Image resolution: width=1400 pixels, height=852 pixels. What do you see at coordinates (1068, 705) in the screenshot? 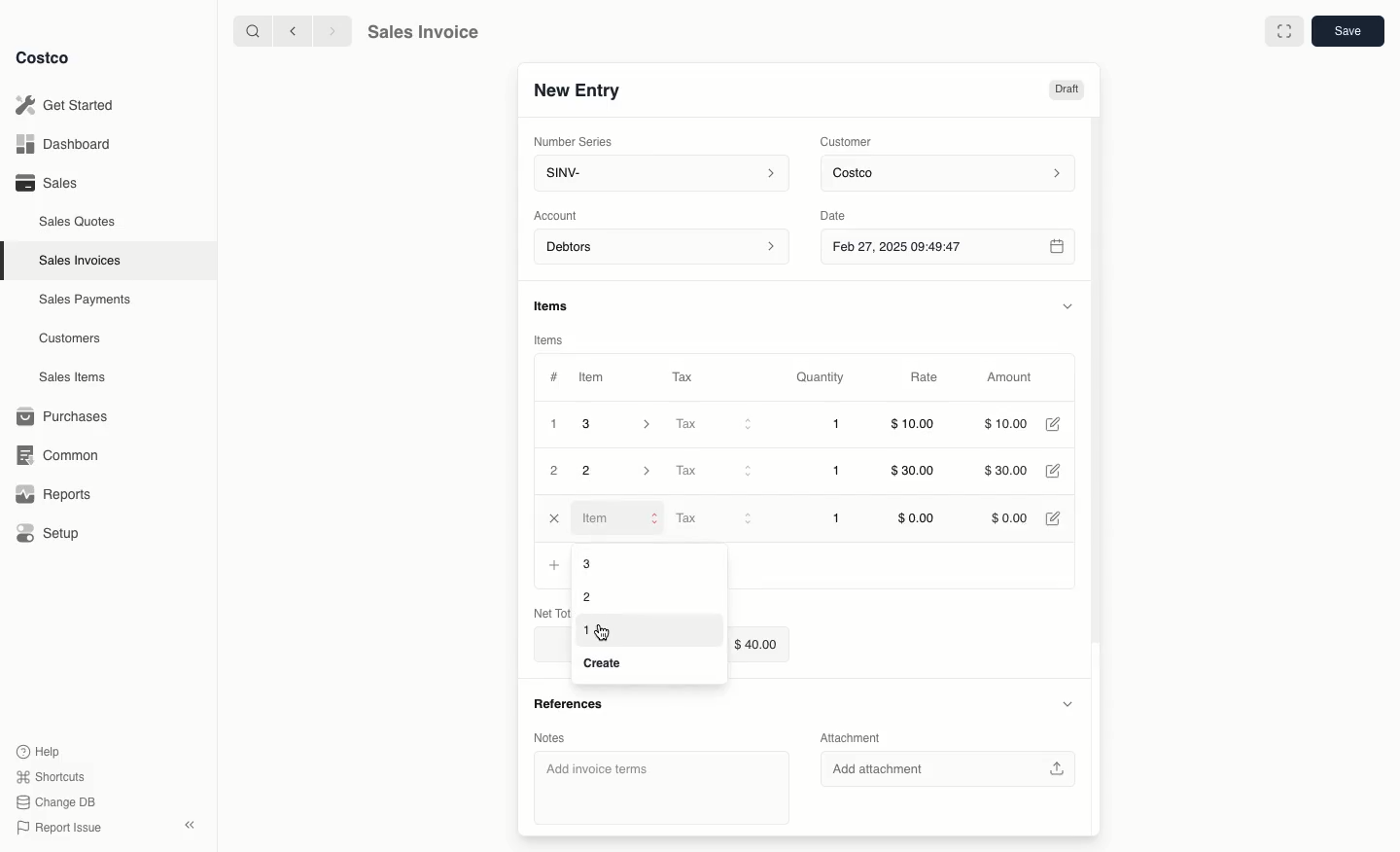
I see `Hide` at bounding box center [1068, 705].